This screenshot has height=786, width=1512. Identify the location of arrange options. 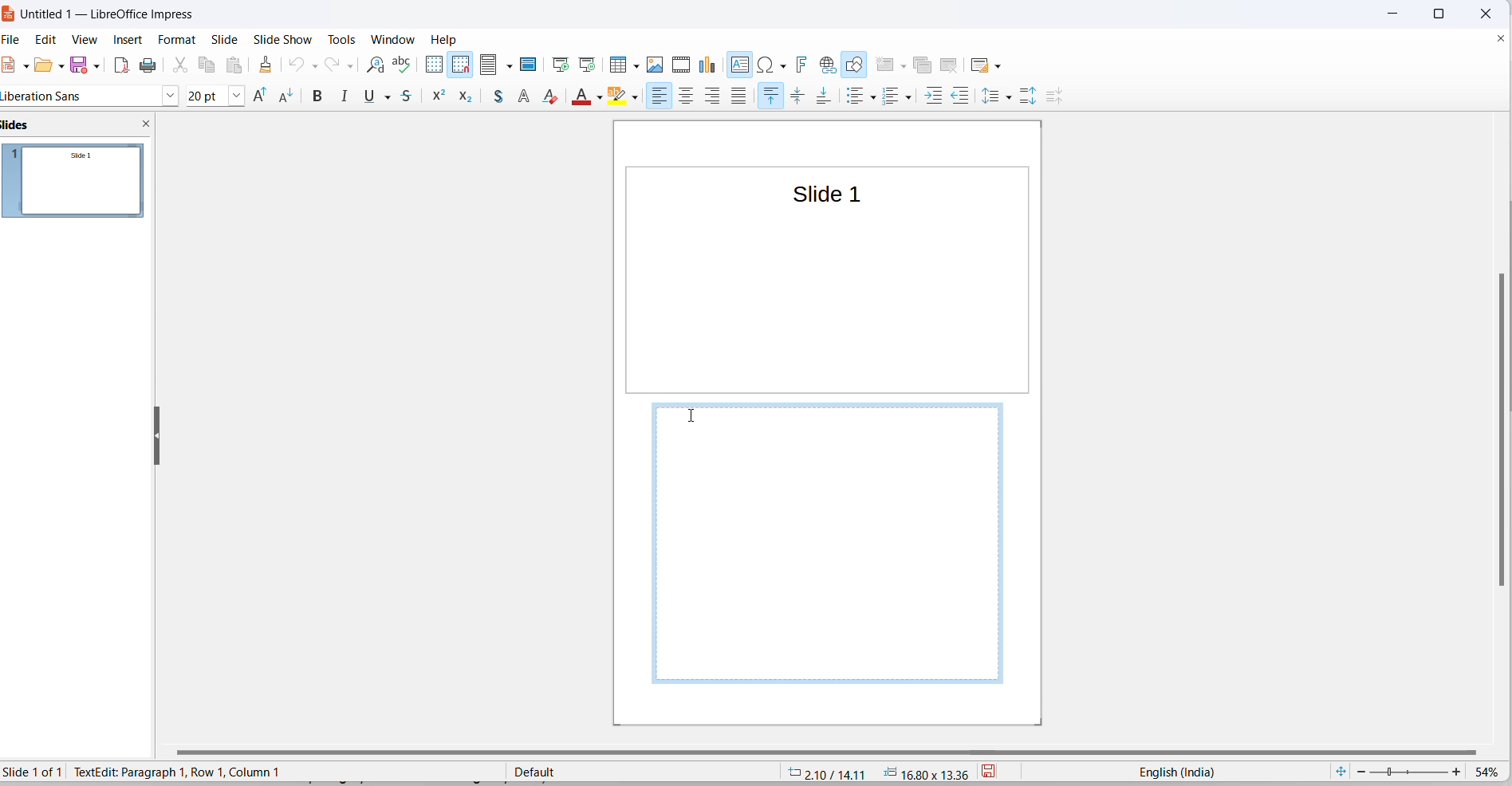
(675, 96).